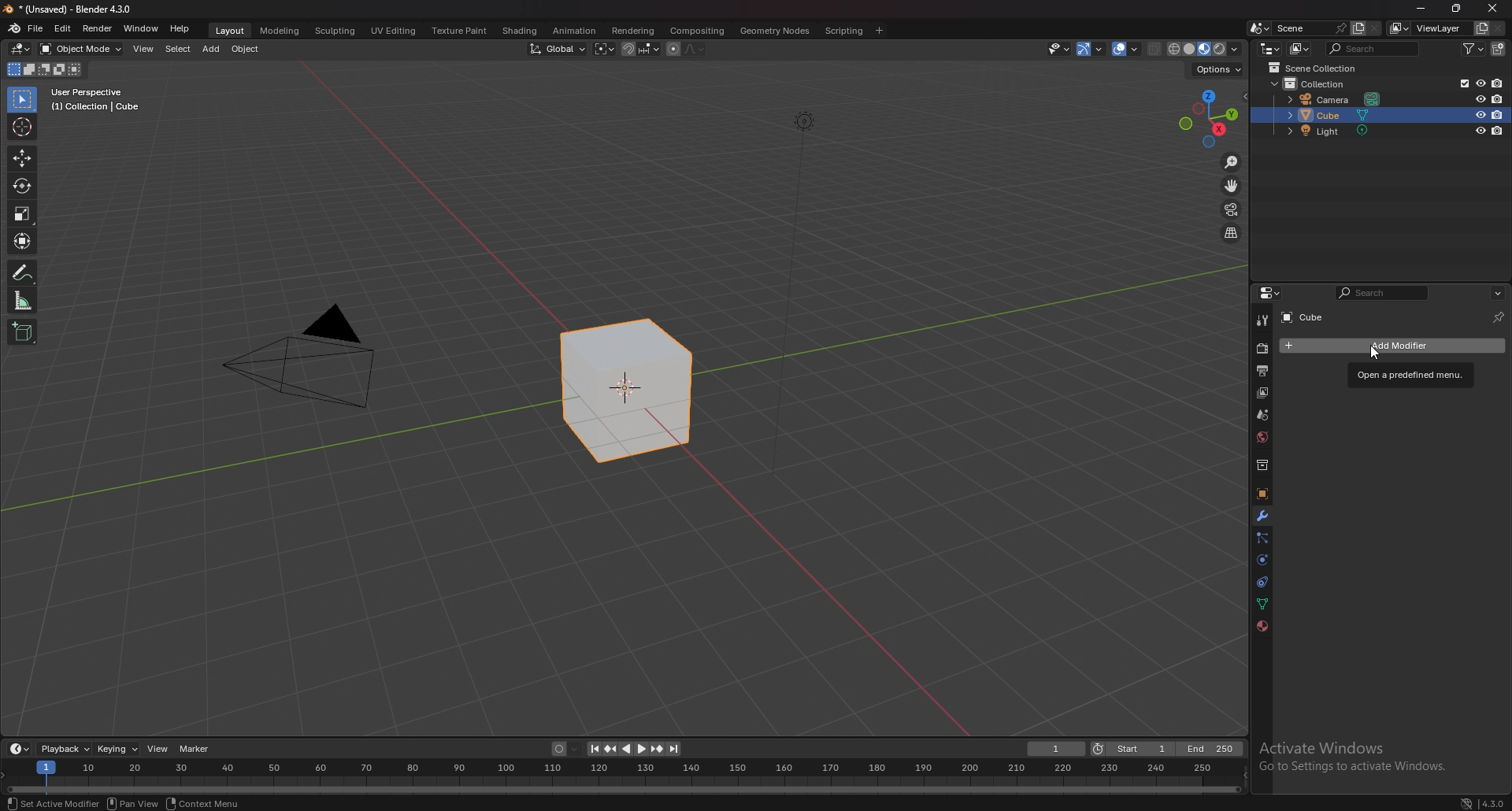 This screenshot has height=811, width=1512. I want to click on toggle xray, so click(1156, 49).